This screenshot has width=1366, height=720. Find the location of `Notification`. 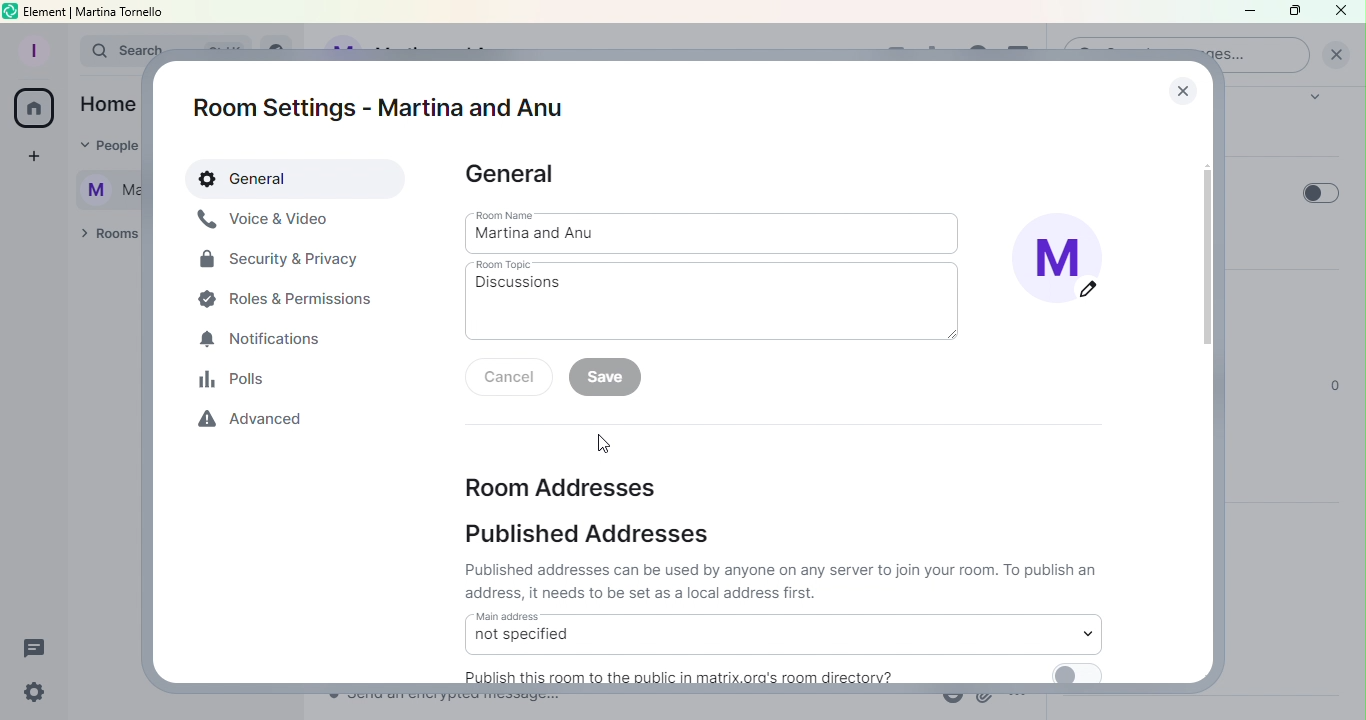

Notification is located at coordinates (263, 341).